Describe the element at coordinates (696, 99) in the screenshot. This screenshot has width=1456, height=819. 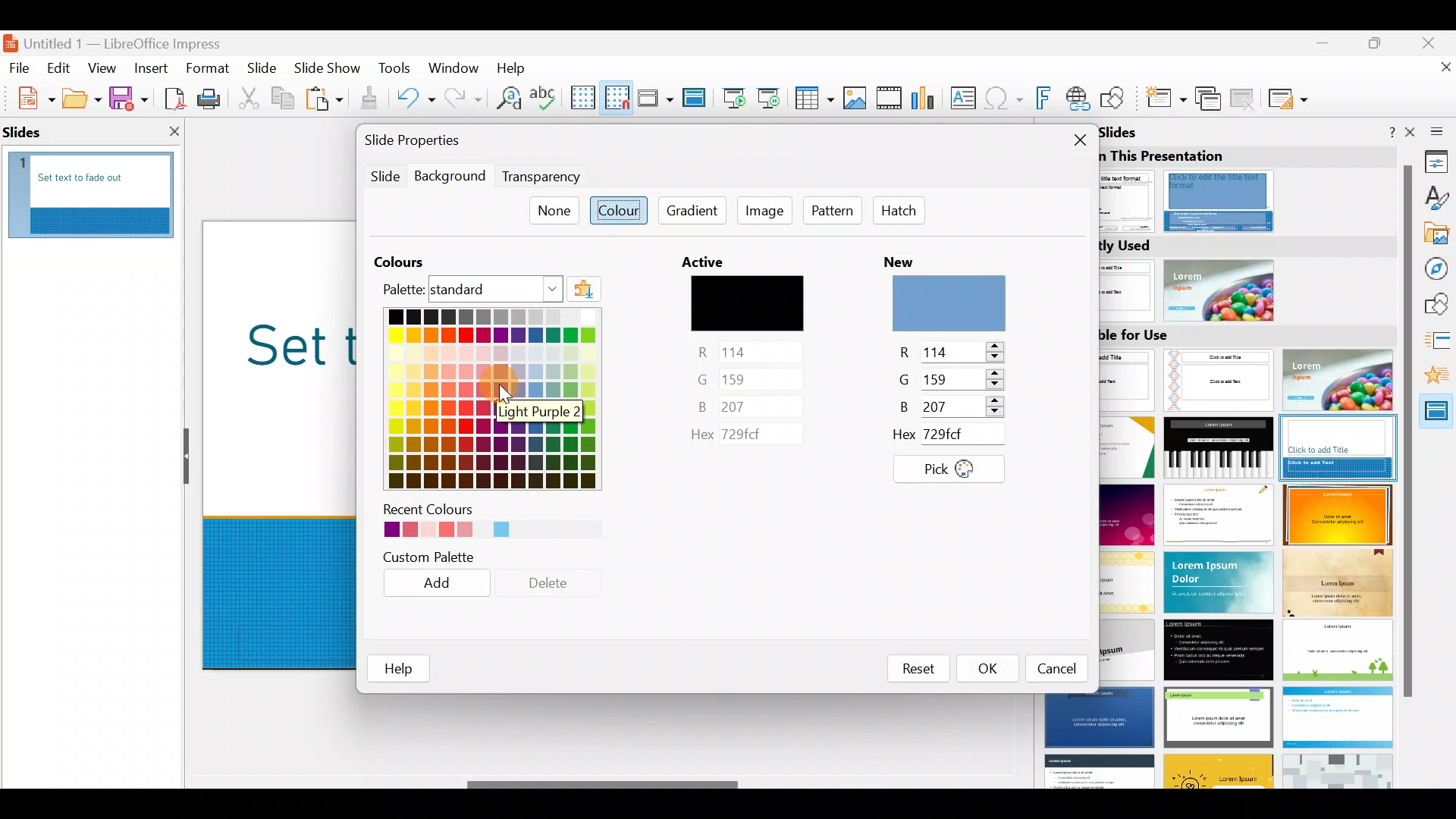
I see `Master slide` at that location.